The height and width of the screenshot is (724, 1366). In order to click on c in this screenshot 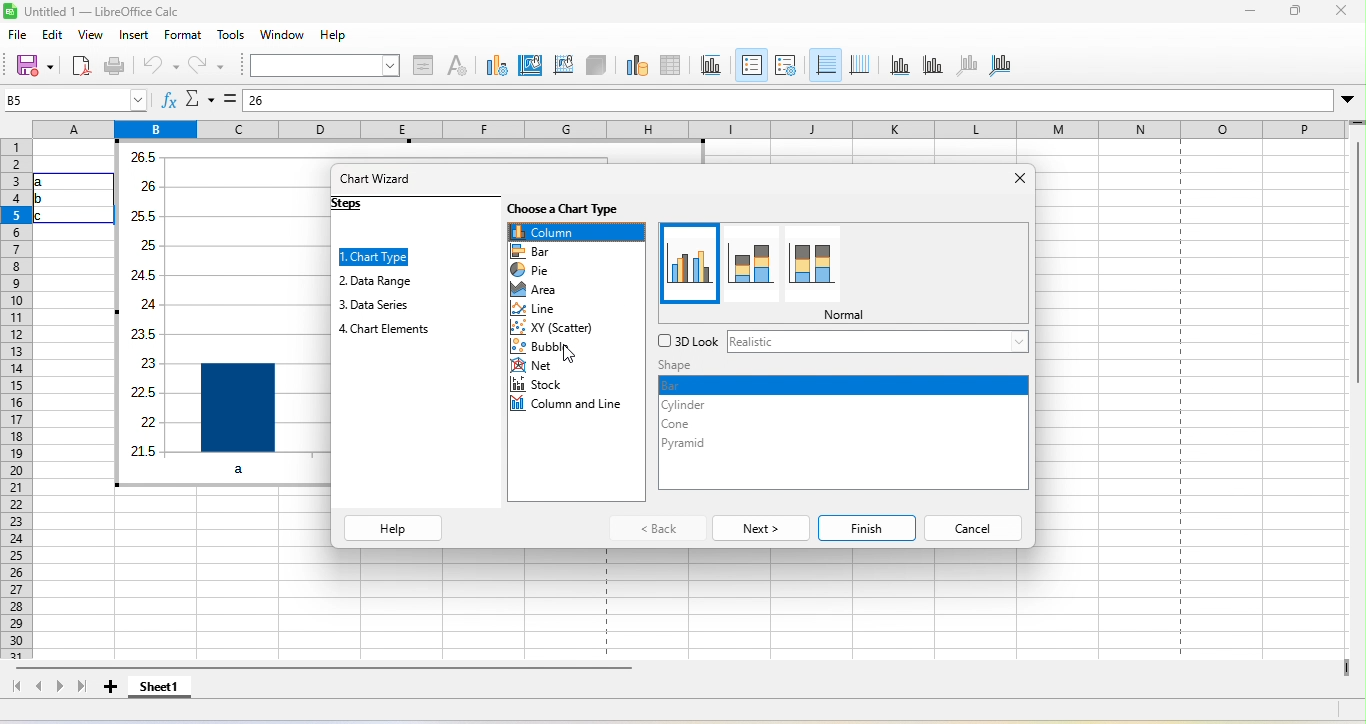, I will do `click(48, 216)`.